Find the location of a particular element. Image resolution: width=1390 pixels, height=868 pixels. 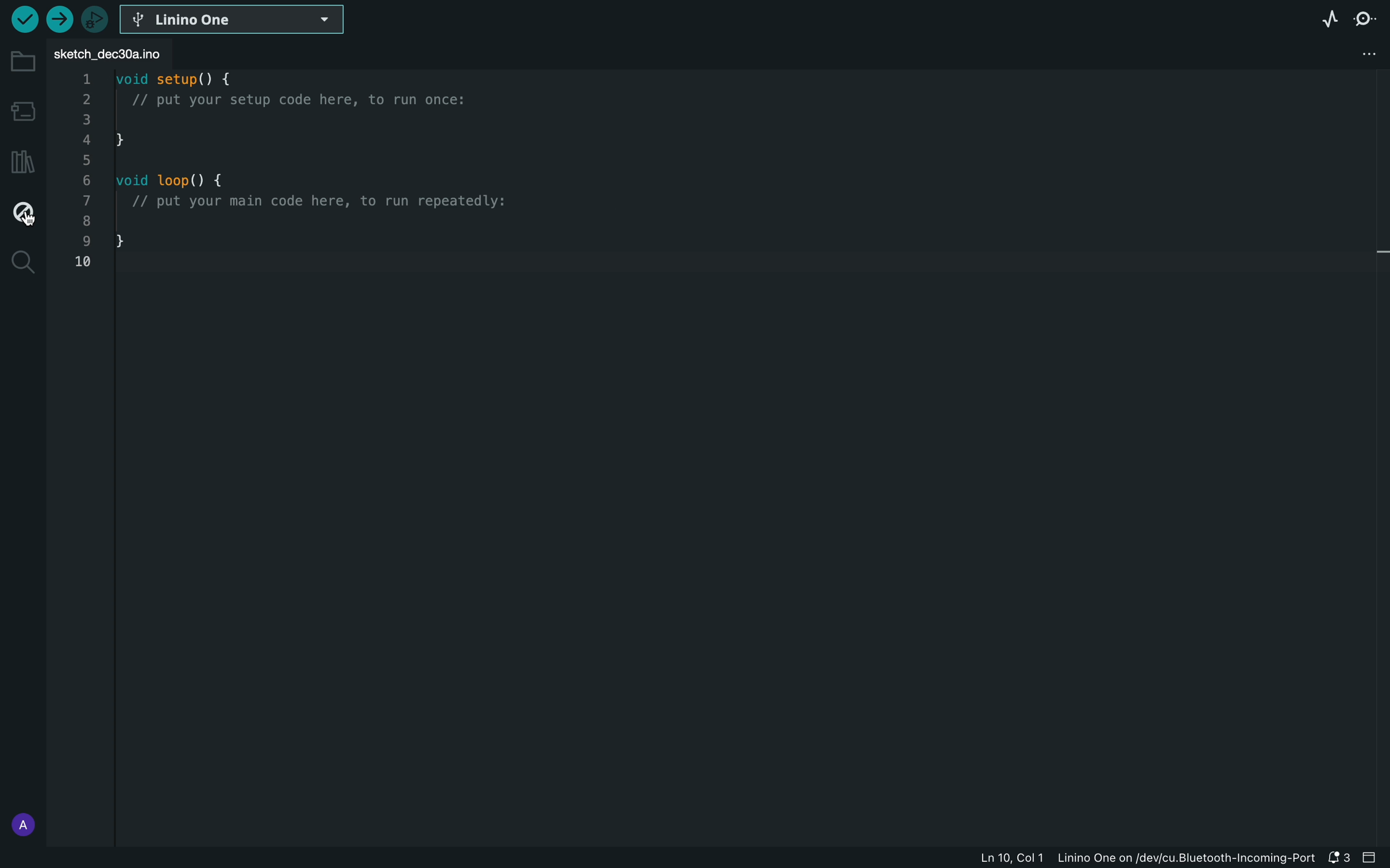

debugger is located at coordinates (95, 18).